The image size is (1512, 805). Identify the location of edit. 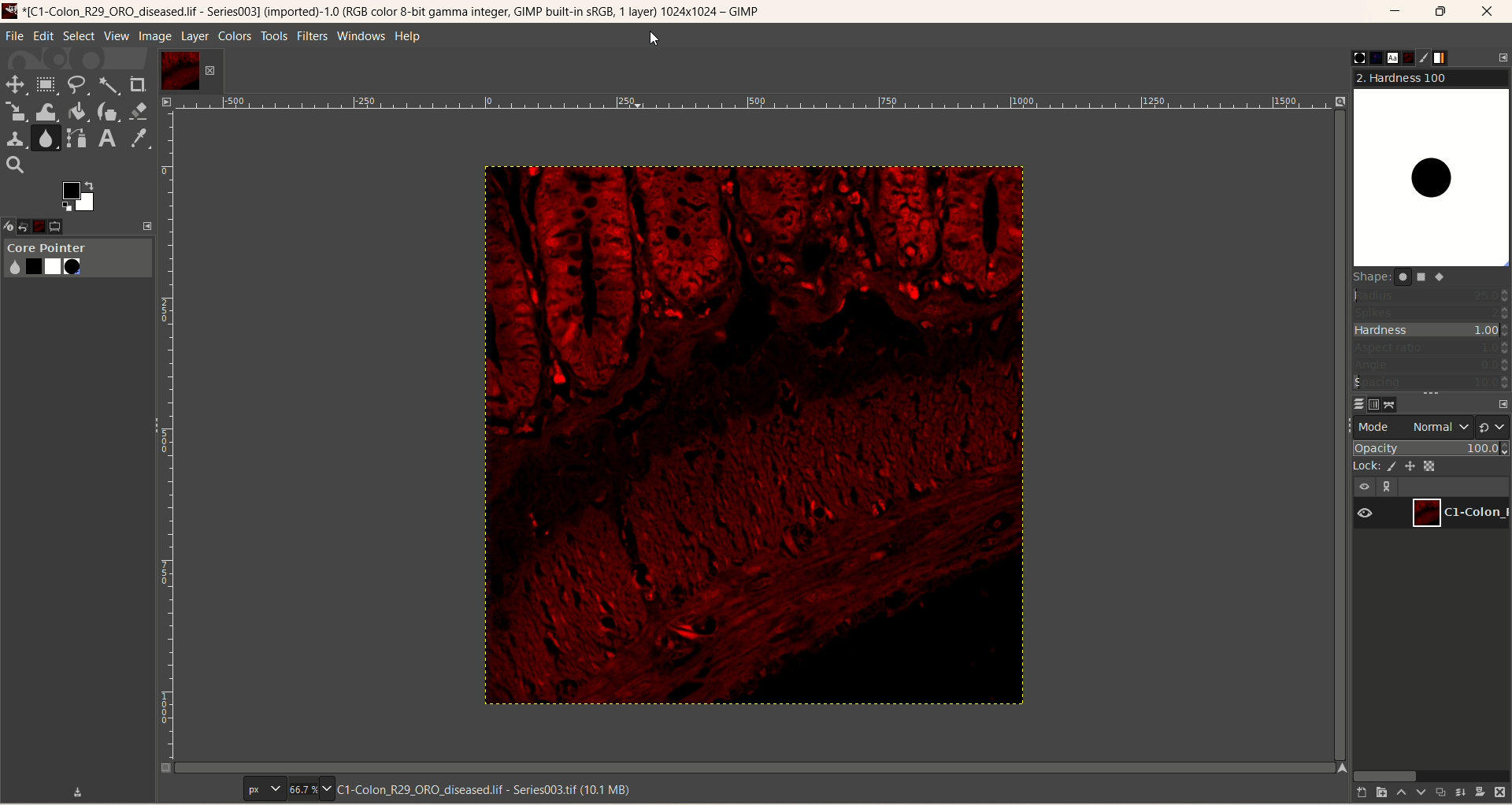
(44, 35).